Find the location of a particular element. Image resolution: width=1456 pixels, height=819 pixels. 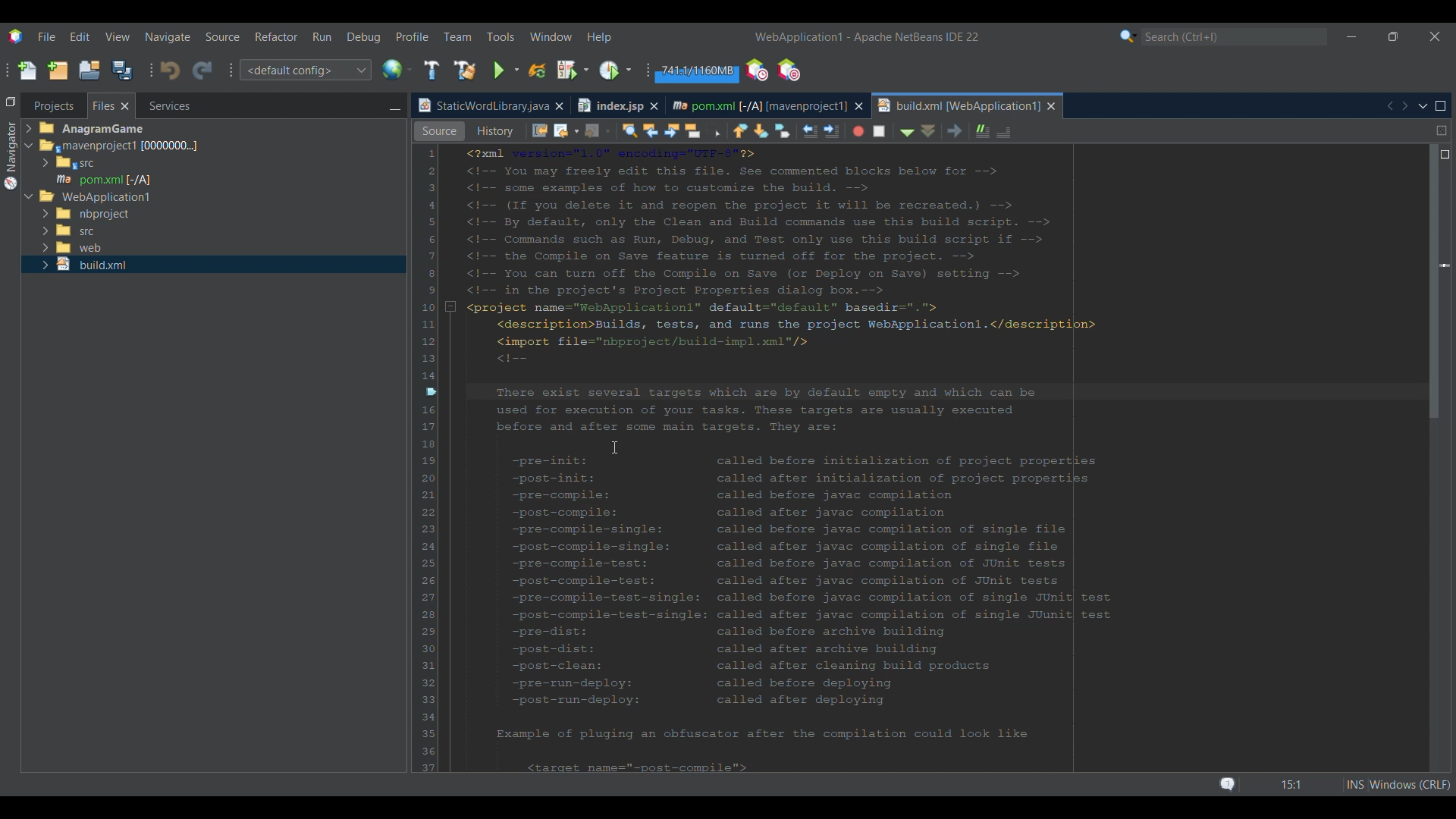

Source view is located at coordinates (439, 131).